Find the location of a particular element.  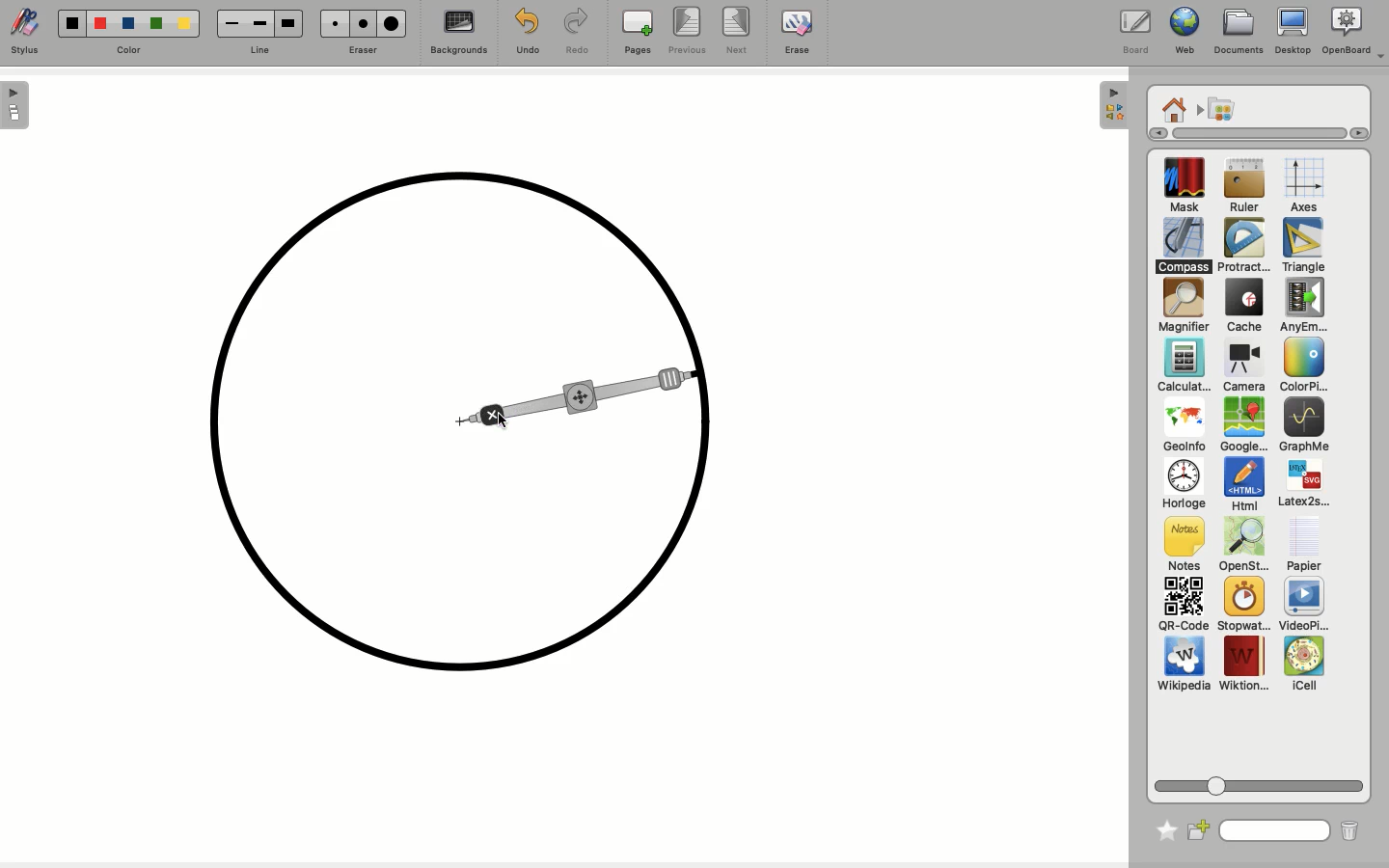

color3 is located at coordinates (127, 24).